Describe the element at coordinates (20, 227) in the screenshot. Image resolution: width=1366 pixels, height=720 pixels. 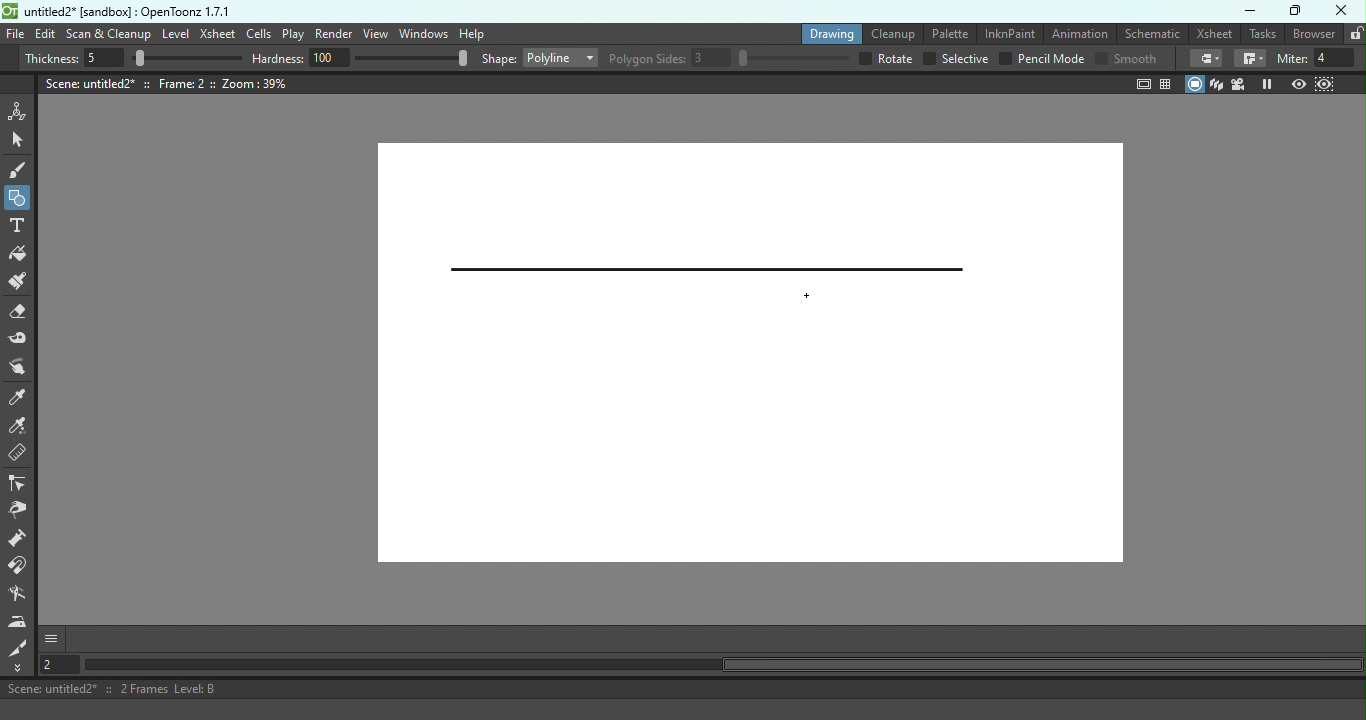
I see `Type tool` at that location.